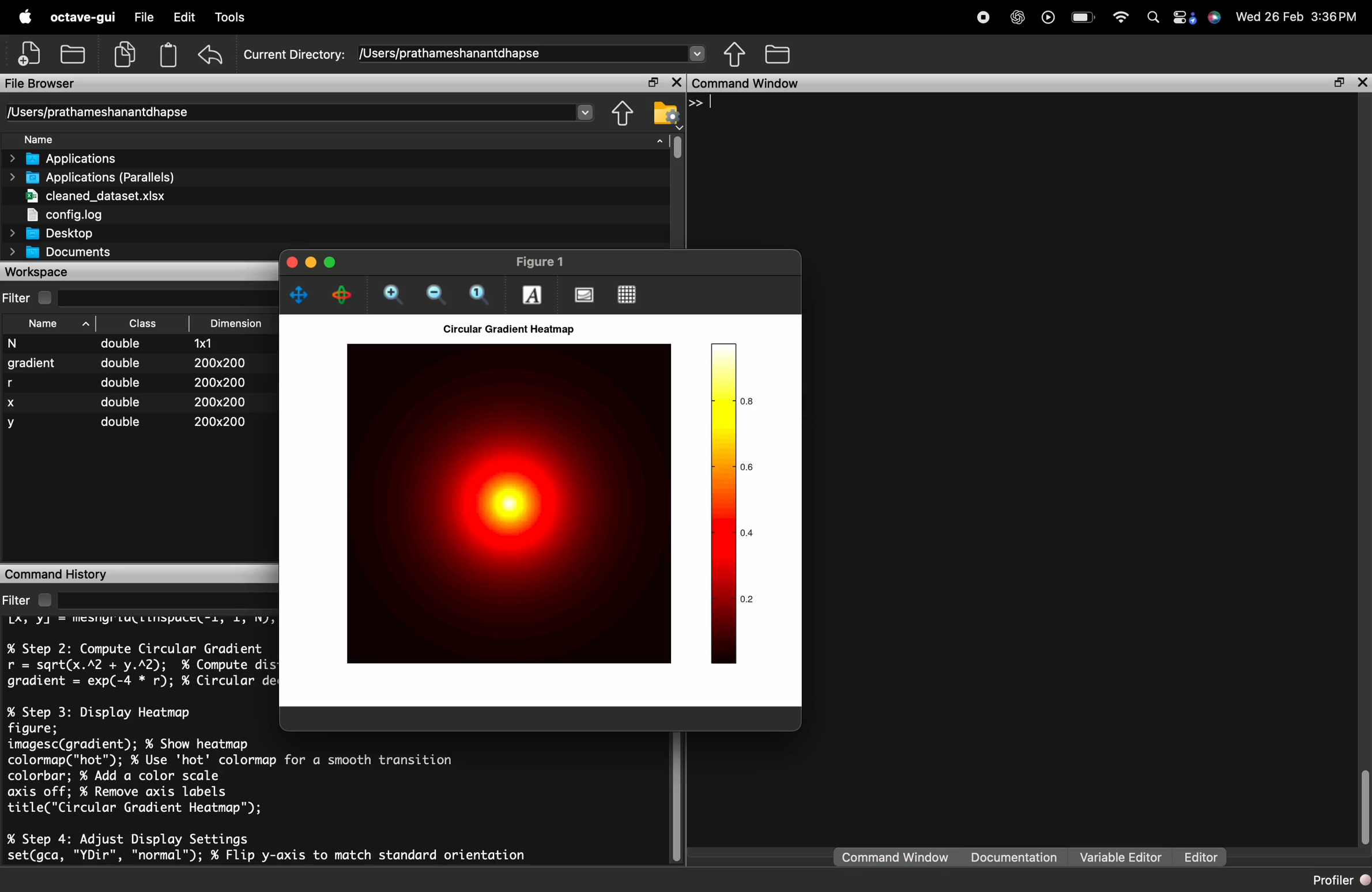 The width and height of the screenshot is (1372, 892). Describe the element at coordinates (581, 294) in the screenshot. I see `toggle current axis visible` at that location.